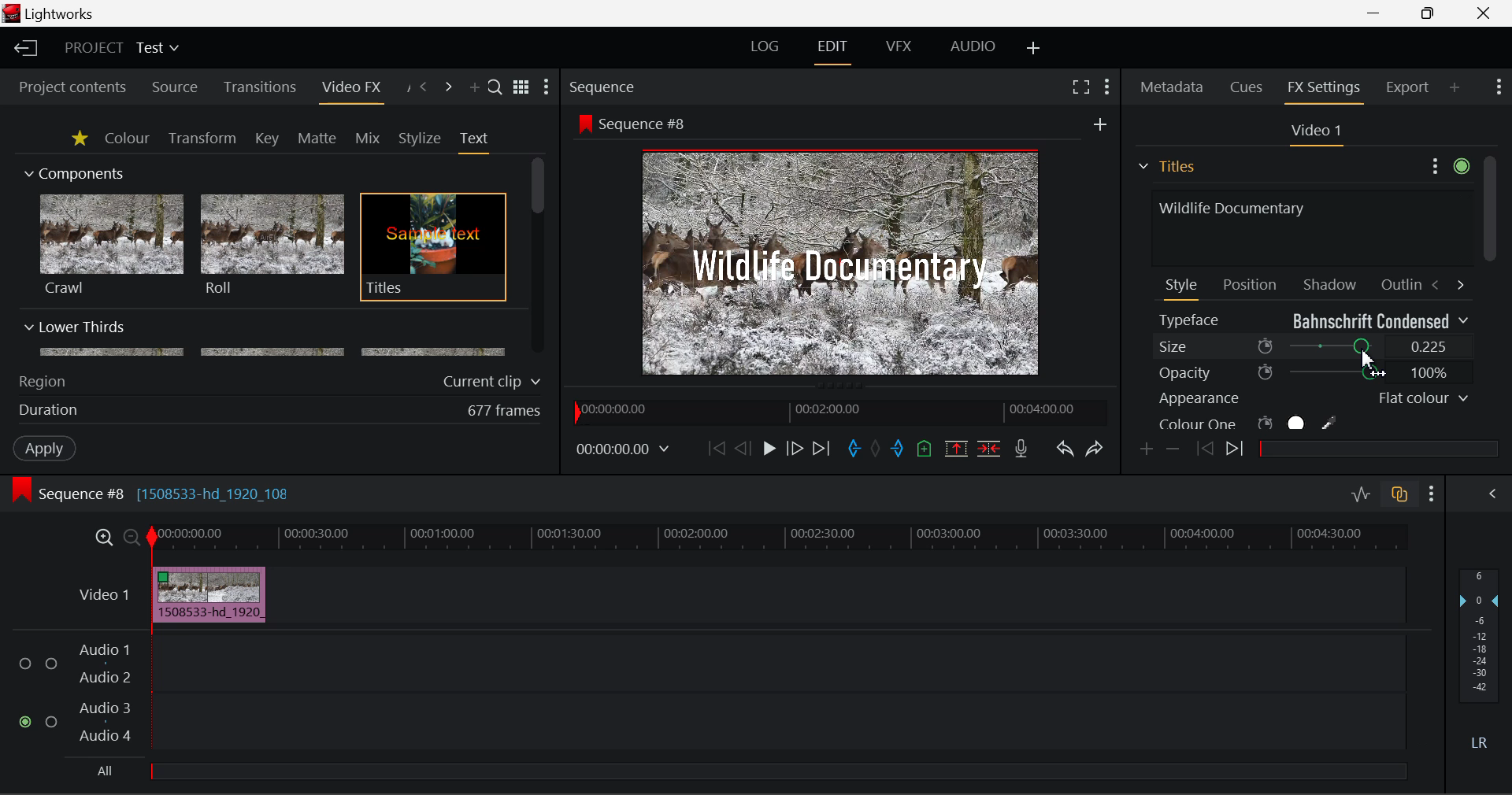  What do you see at coordinates (52, 665) in the screenshot?
I see `checkbox` at bounding box center [52, 665].